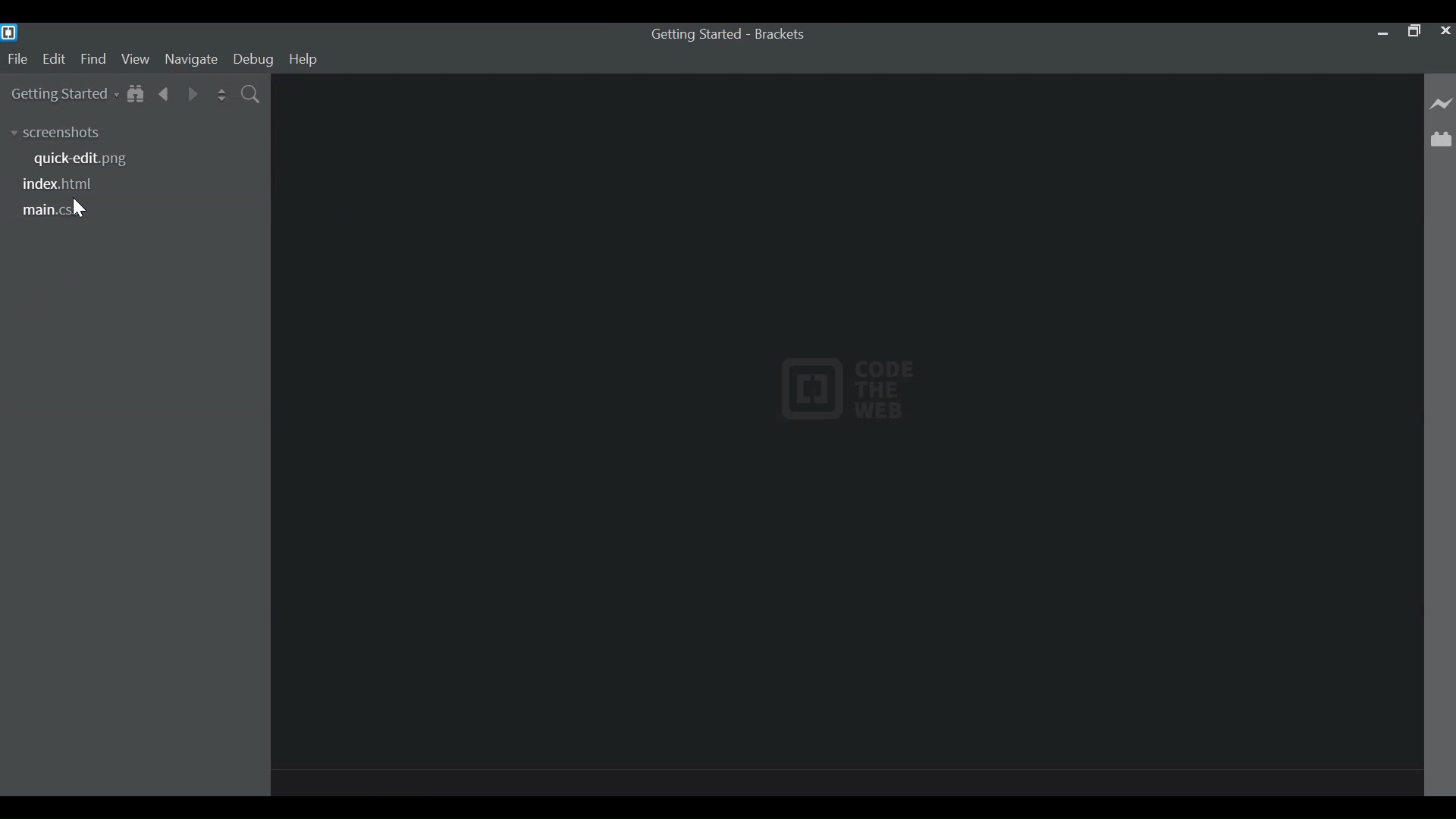  I want to click on File, so click(17, 59).